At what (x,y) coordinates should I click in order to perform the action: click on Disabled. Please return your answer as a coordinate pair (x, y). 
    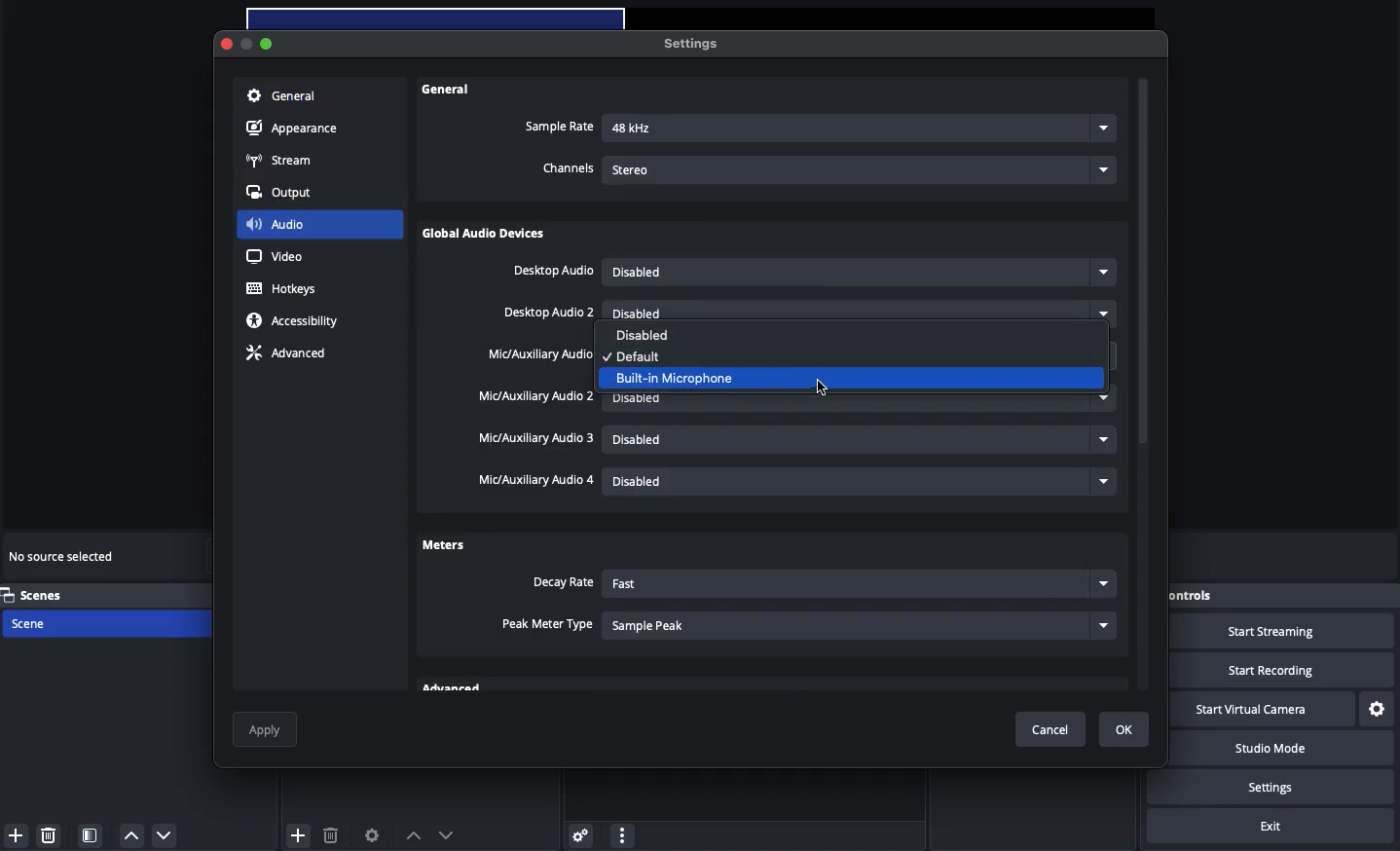
    Looking at the image, I should click on (649, 335).